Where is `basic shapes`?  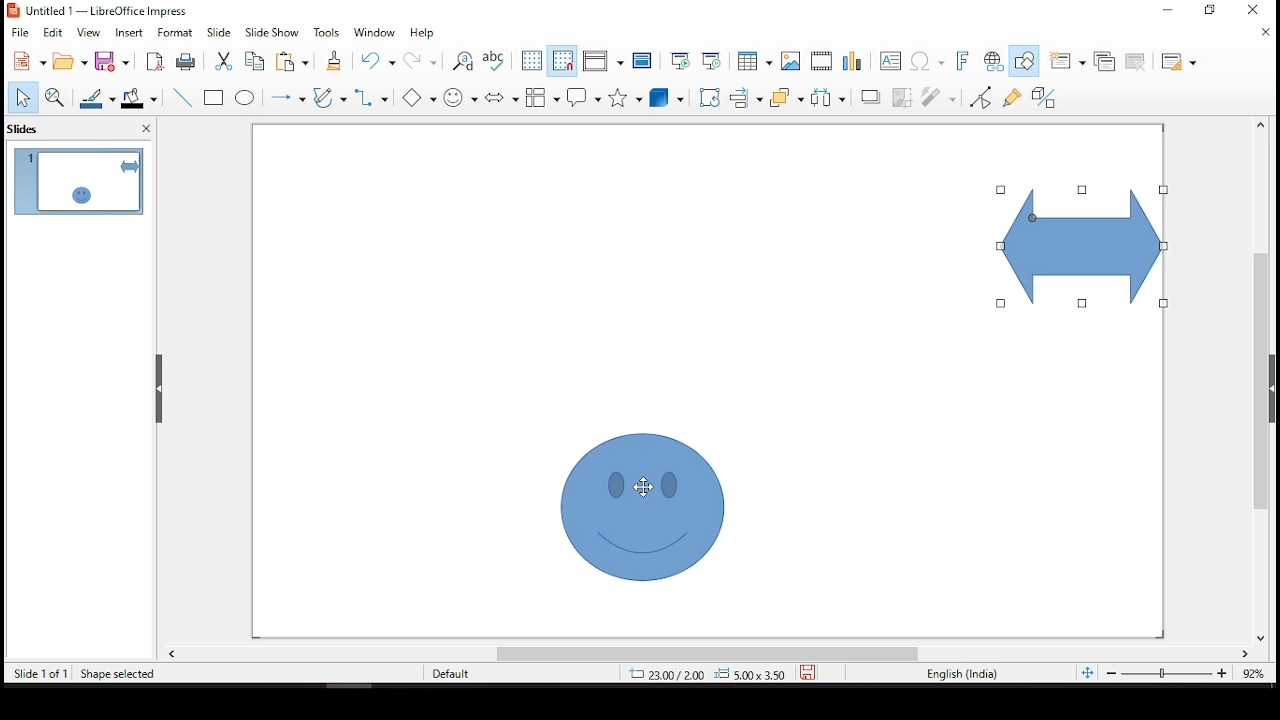
basic shapes is located at coordinates (419, 98).